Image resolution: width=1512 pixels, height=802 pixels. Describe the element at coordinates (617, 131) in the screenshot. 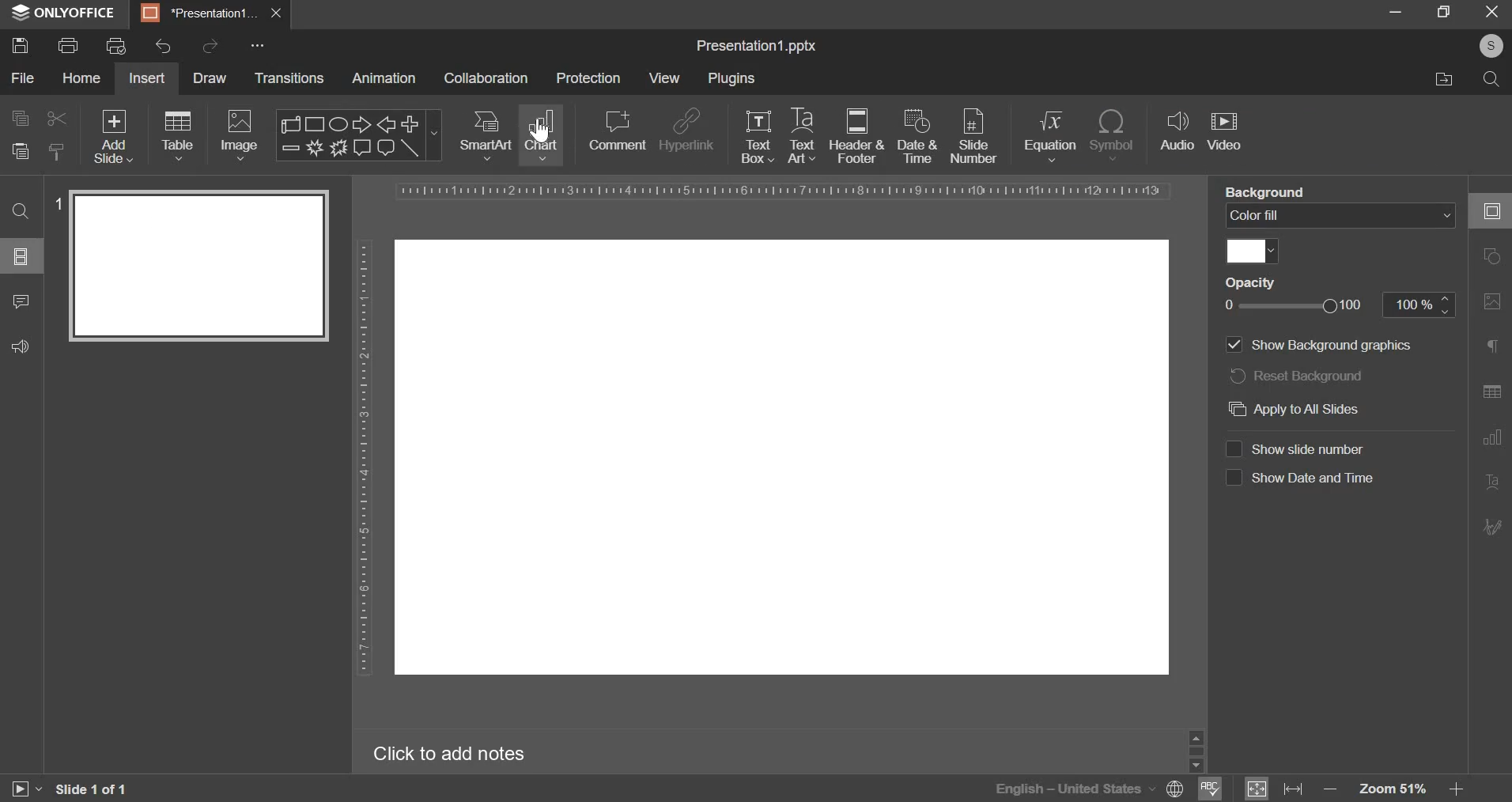

I see `comment` at that location.